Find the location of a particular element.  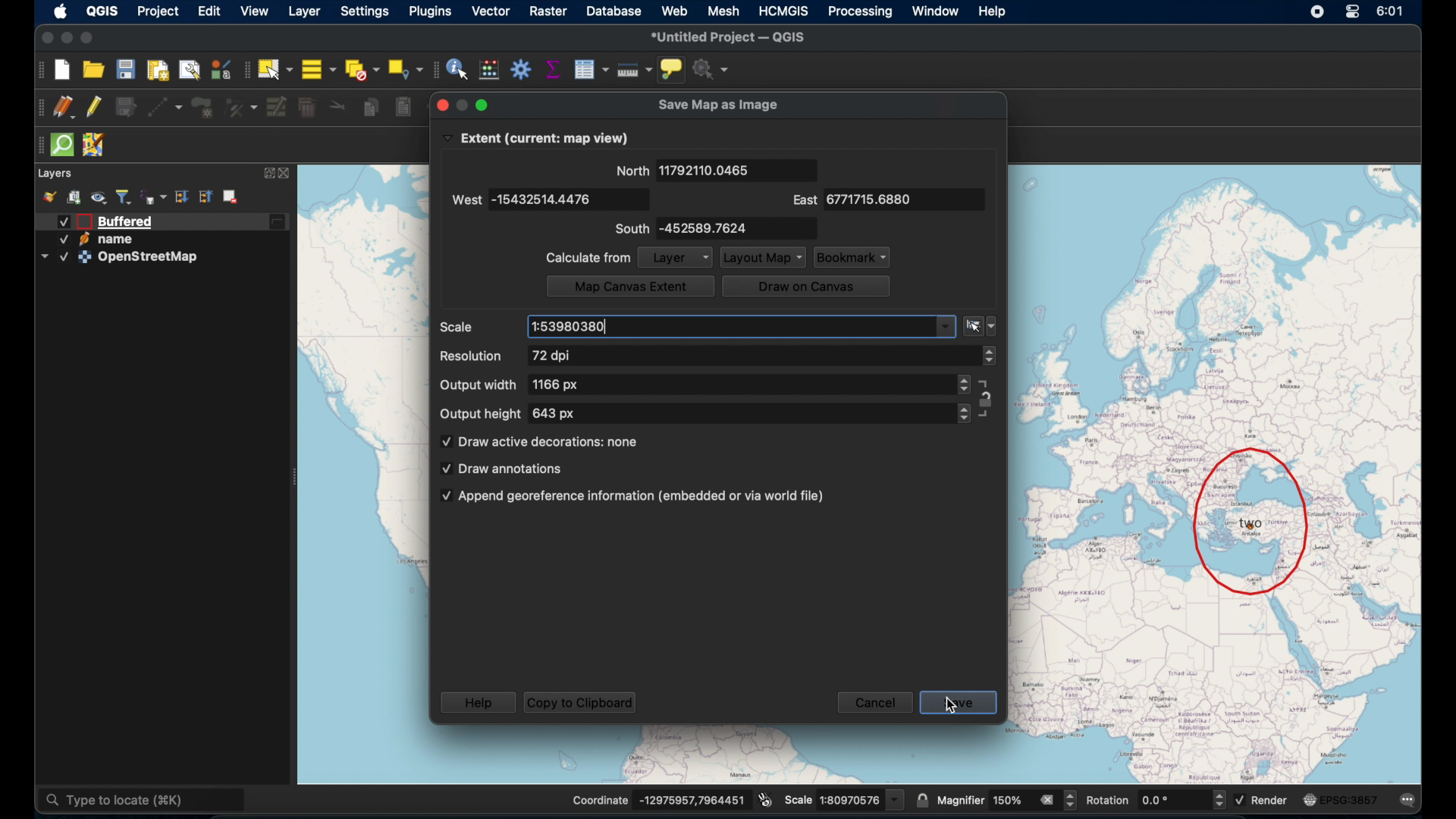

add group is located at coordinates (74, 197).